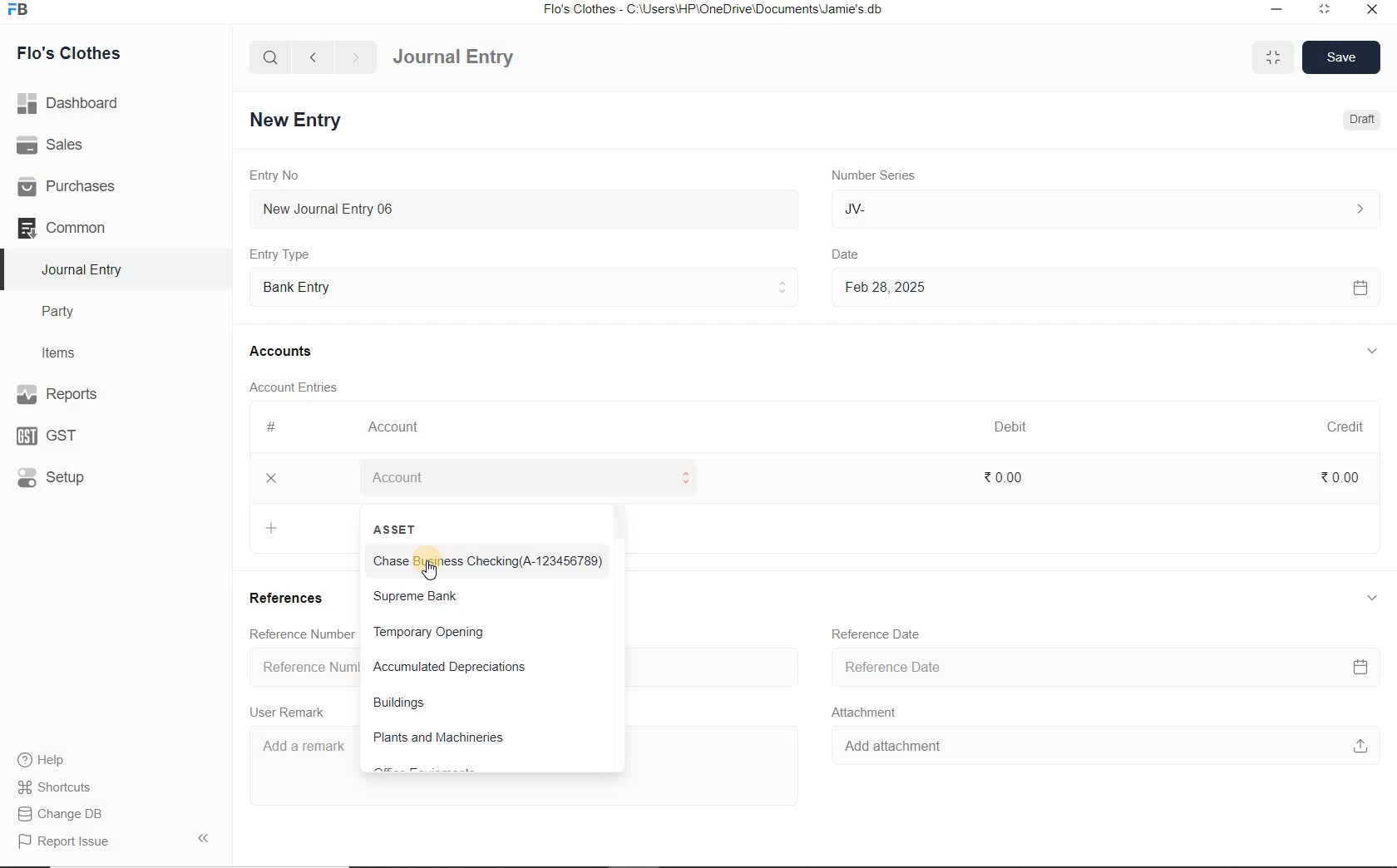 The image size is (1397, 868). I want to click on Entry No, so click(277, 175).